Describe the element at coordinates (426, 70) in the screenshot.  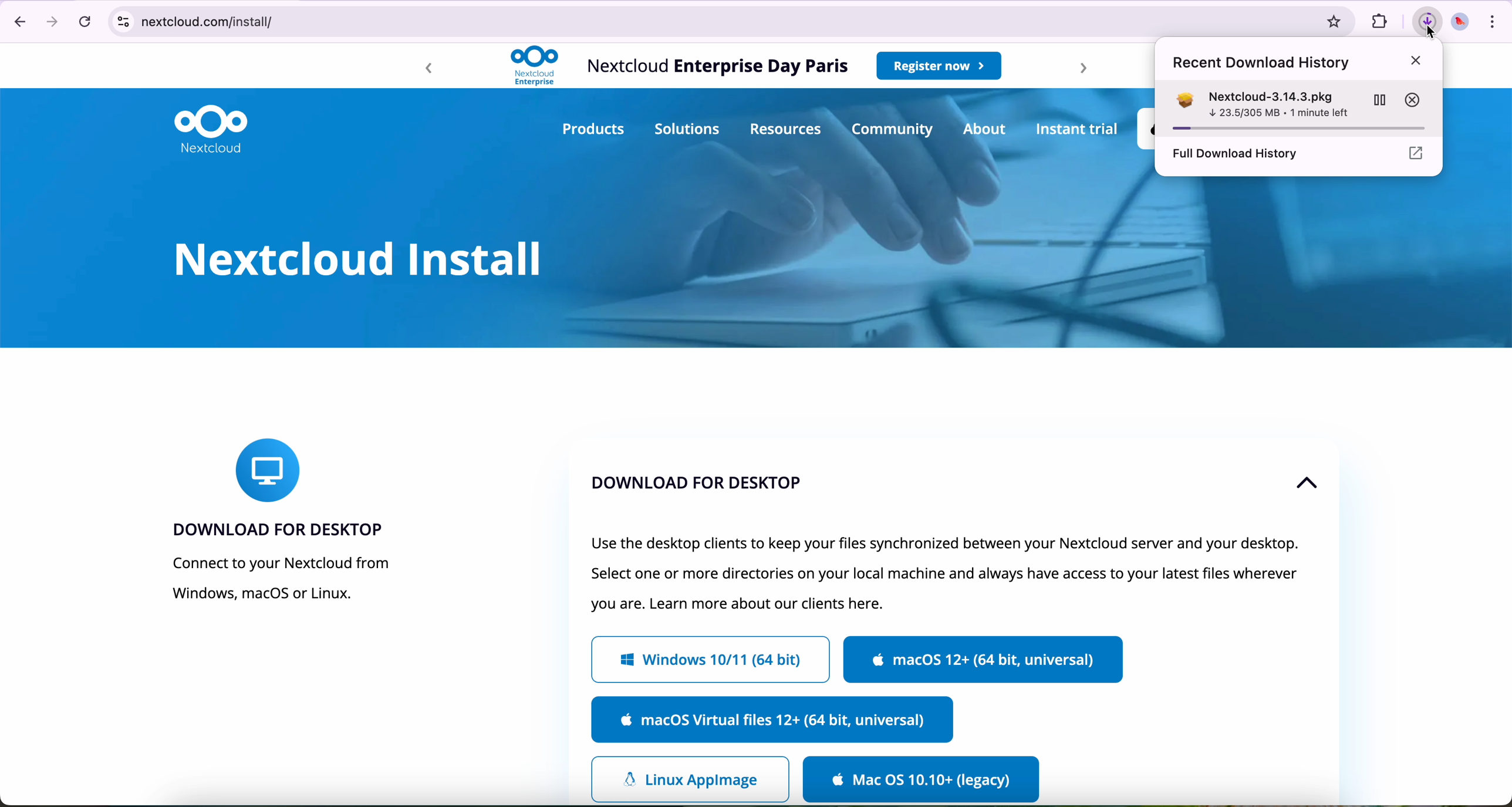
I see `backward` at that location.